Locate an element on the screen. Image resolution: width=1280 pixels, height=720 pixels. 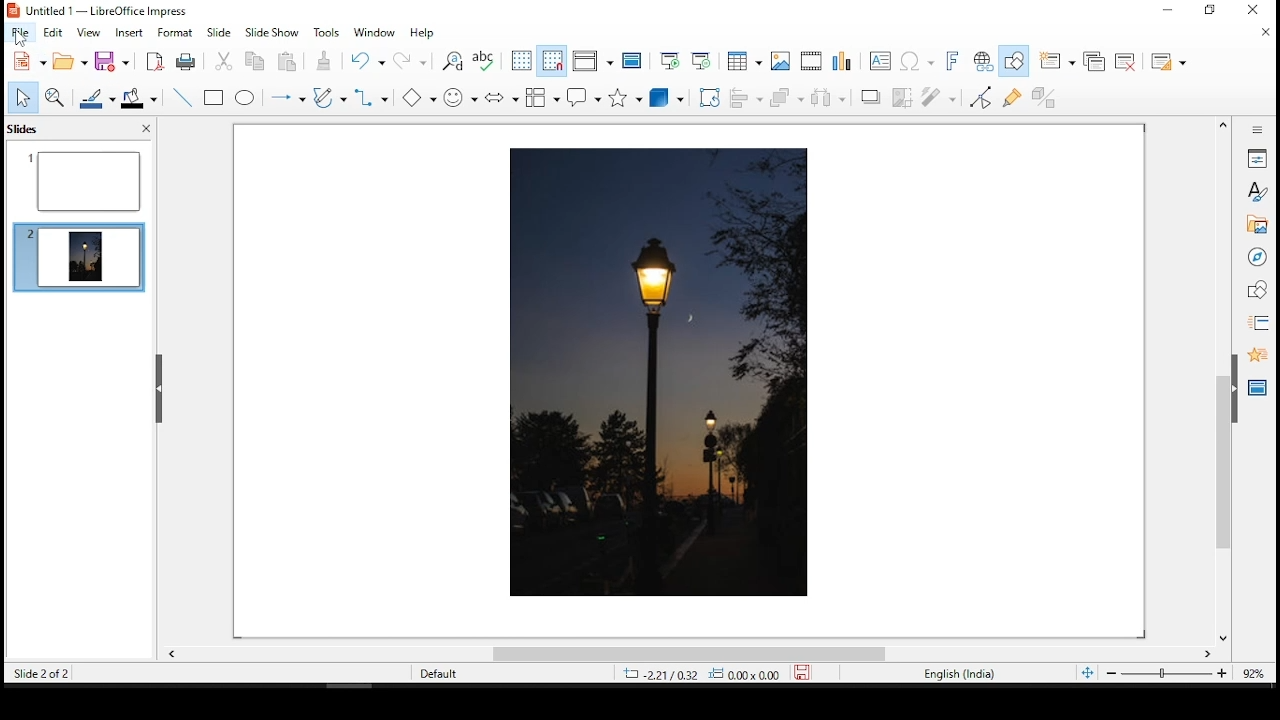
toggle point edit mode is located at coordinates (981, 100).